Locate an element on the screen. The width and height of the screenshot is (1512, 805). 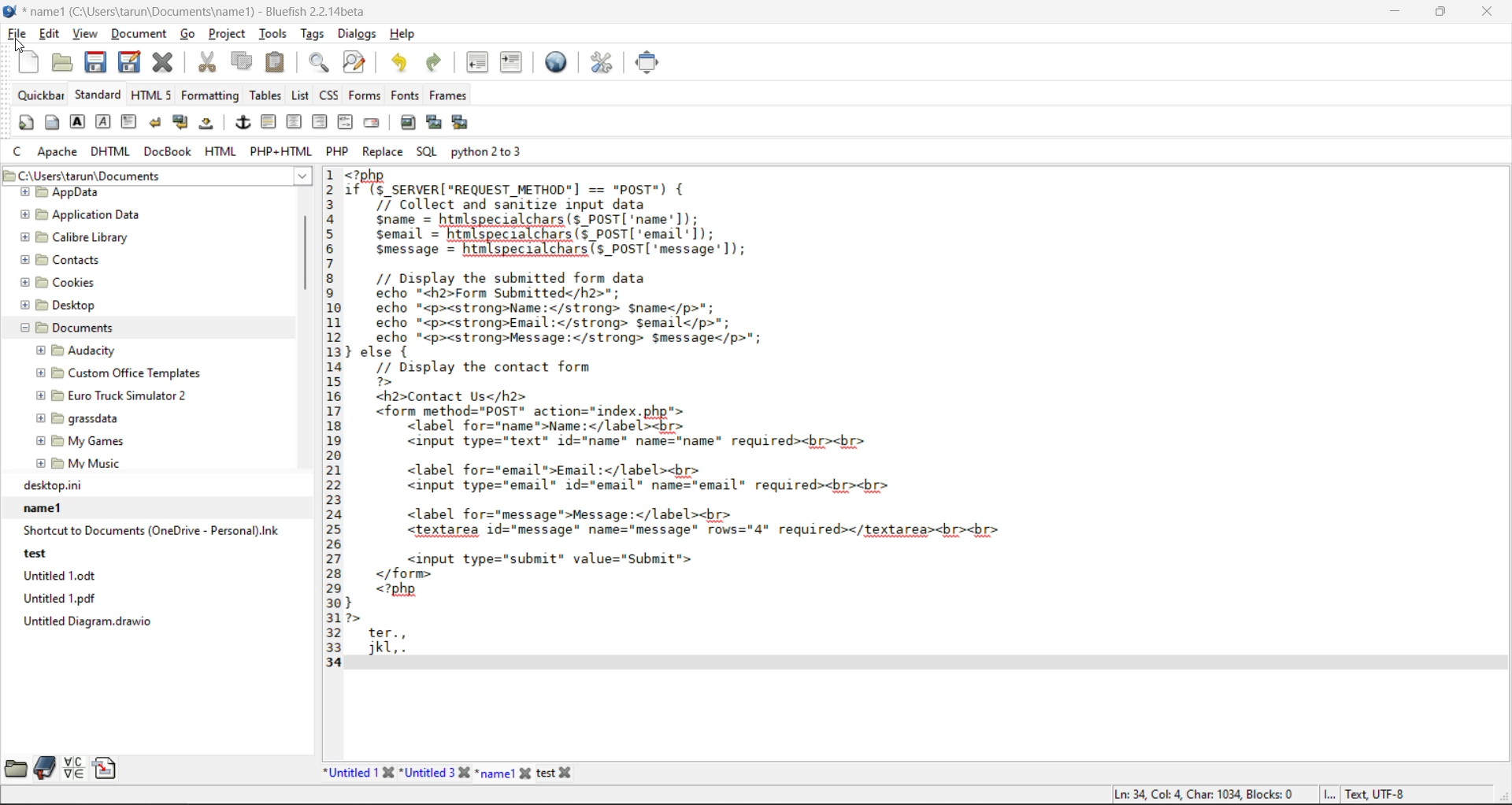
sql is located at coordinates (428, 152).